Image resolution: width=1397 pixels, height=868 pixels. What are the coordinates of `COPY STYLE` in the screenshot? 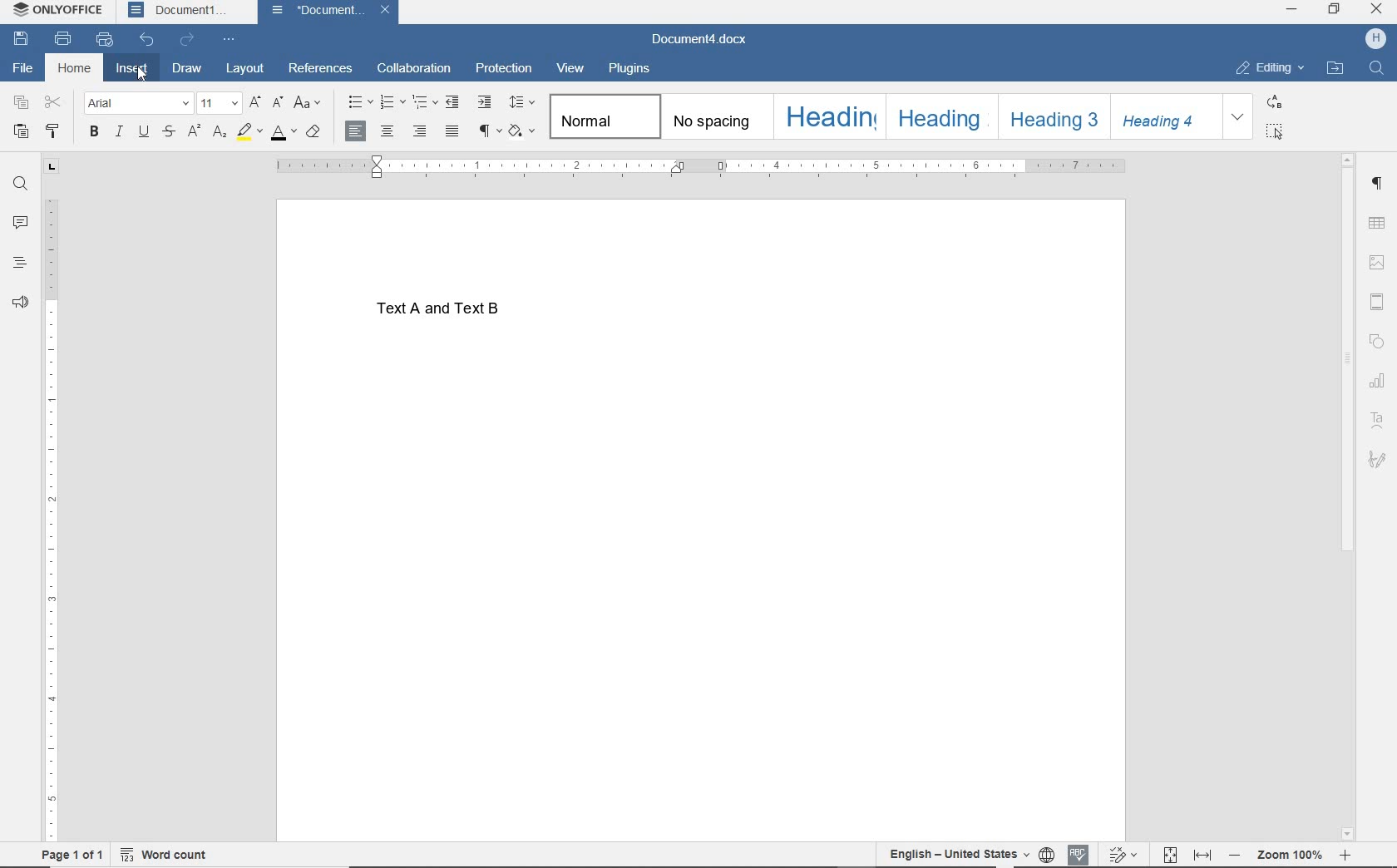 It's located at (57, 131).